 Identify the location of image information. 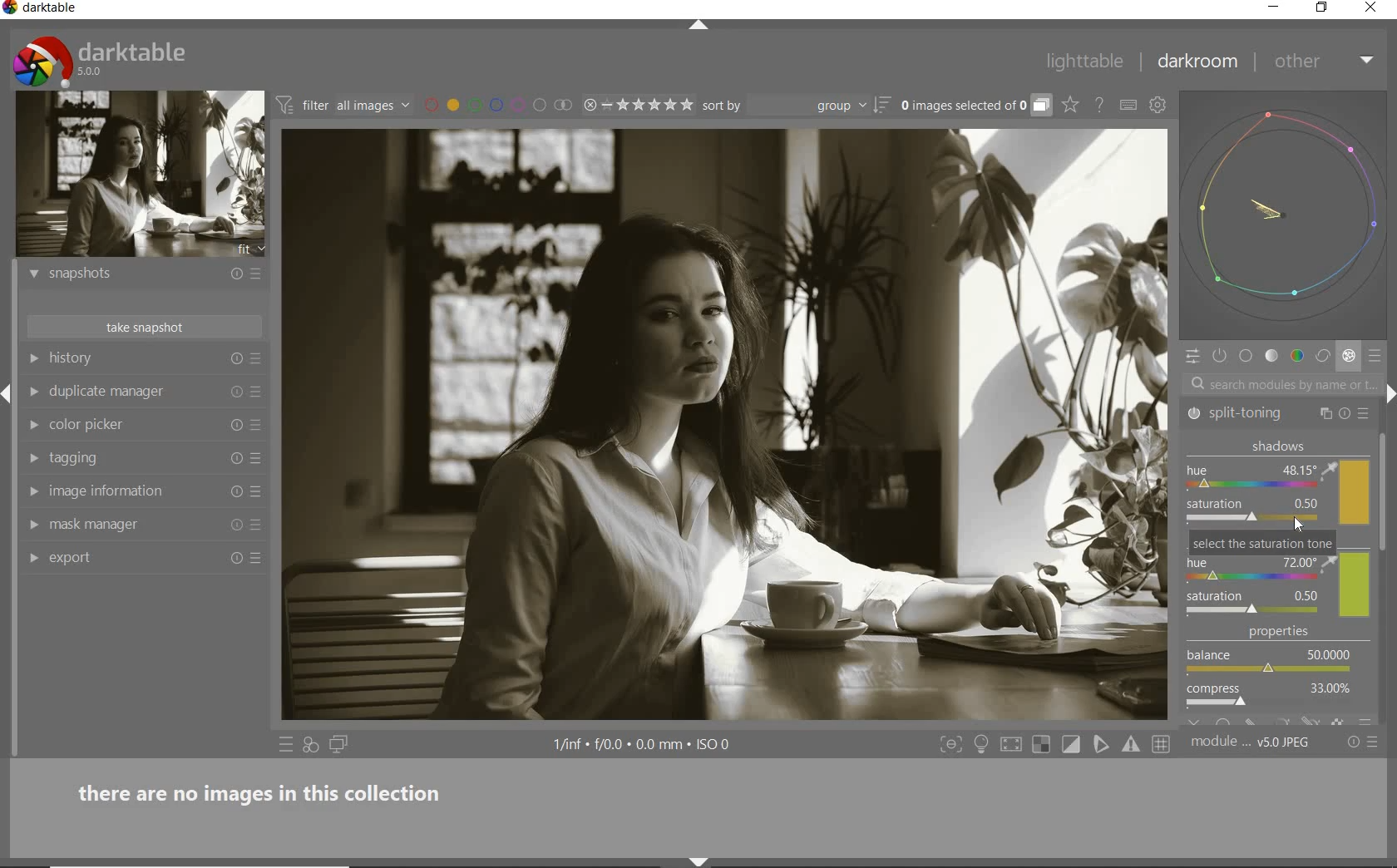
(132, 491).